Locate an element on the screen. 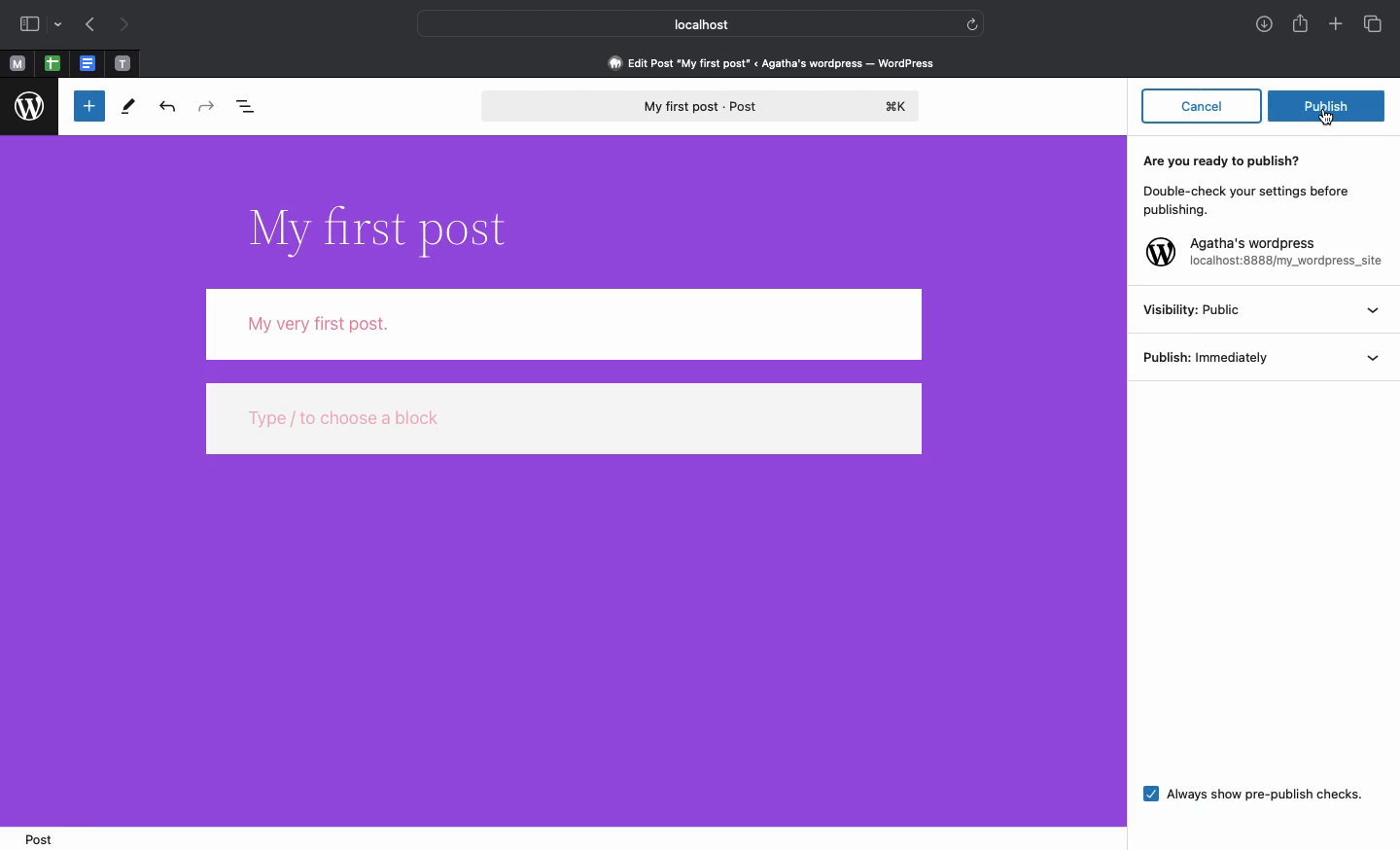  Double-check your settings before publishing. is located at coordinates (1246, 198).